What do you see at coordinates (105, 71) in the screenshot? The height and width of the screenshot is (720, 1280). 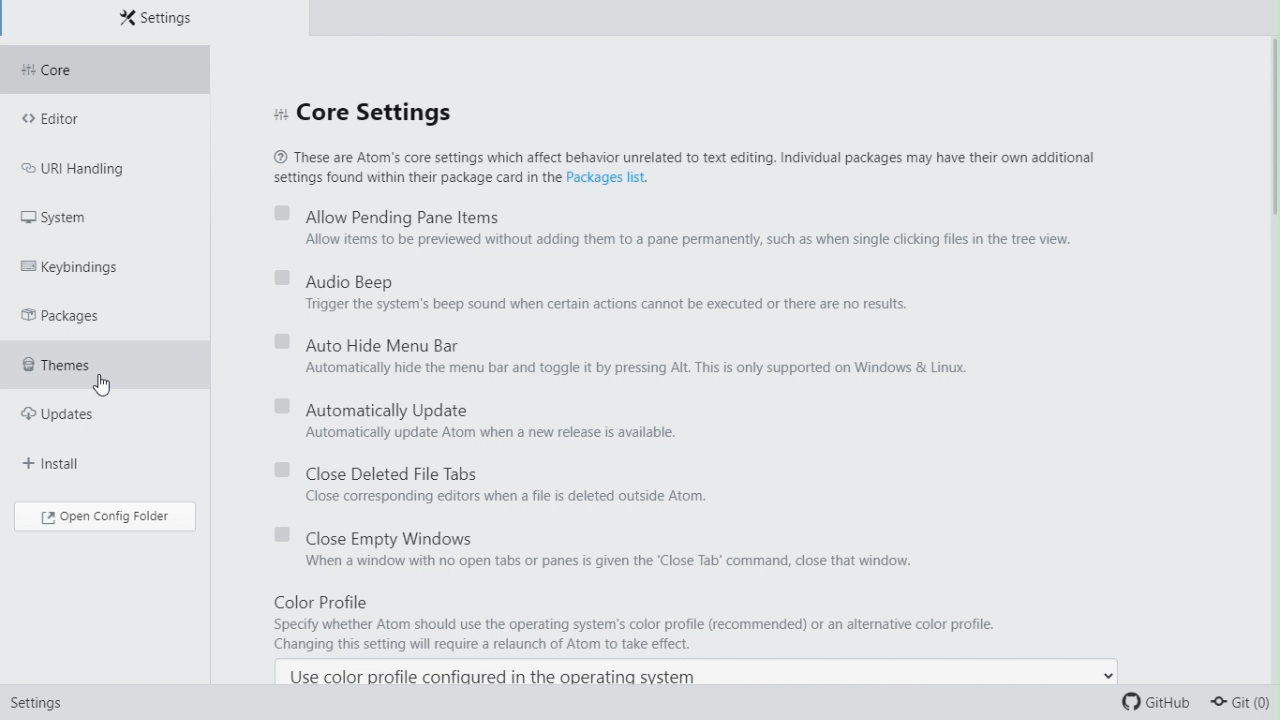 I see `Core ` at bounding box center [105, 71].